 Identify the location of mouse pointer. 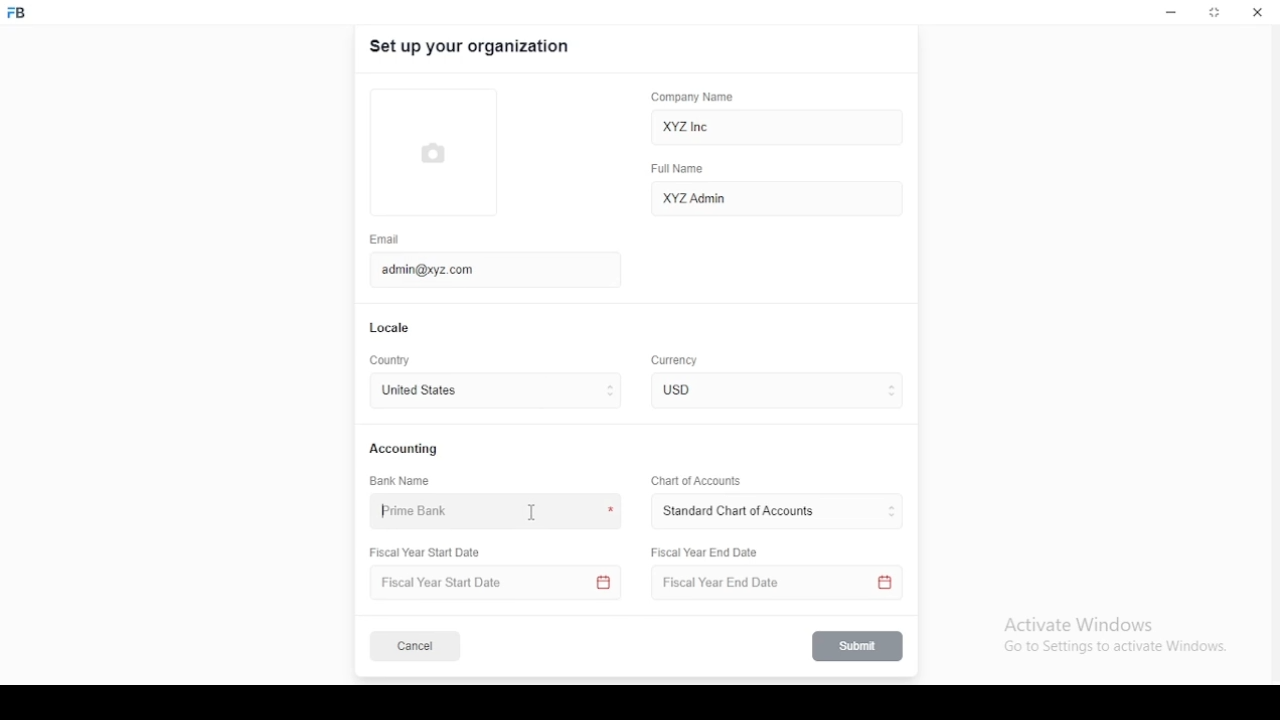
(534, 513).